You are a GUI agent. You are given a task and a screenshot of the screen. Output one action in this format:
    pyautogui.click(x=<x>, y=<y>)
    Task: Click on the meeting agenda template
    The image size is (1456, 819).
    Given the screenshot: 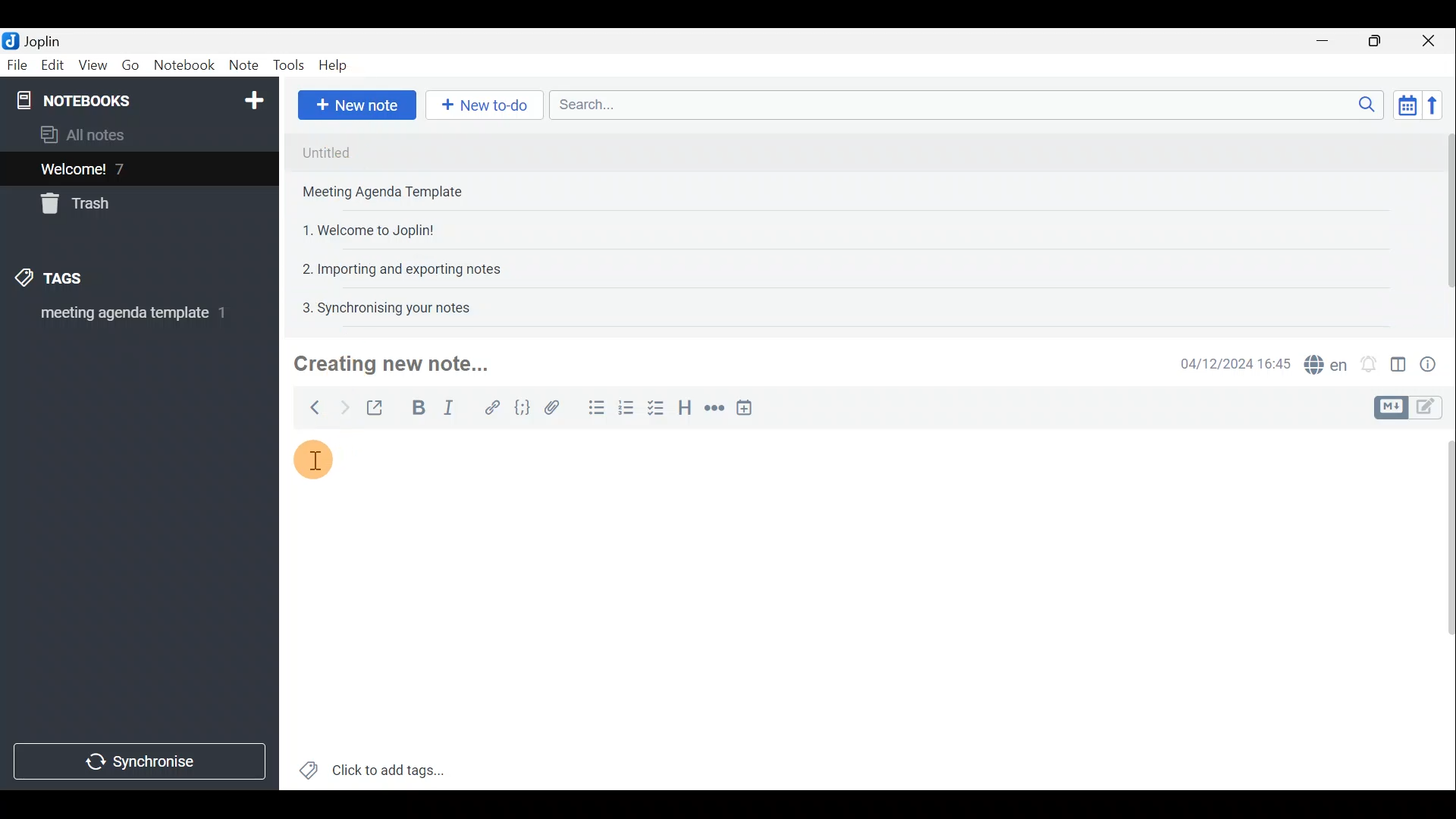 What is the action you would take?
    pyautogui.click(x=130, y=318)
    